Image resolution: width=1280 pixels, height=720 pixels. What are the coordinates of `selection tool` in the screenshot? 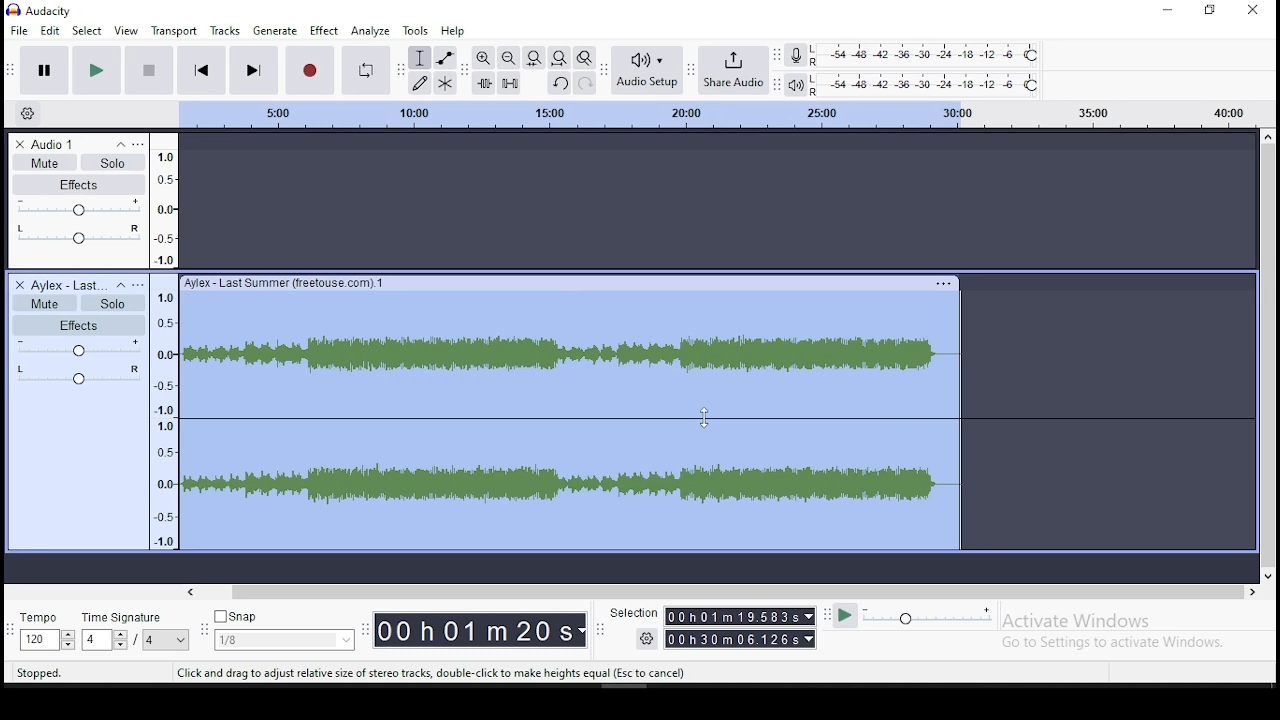 It's located at (419, 58).